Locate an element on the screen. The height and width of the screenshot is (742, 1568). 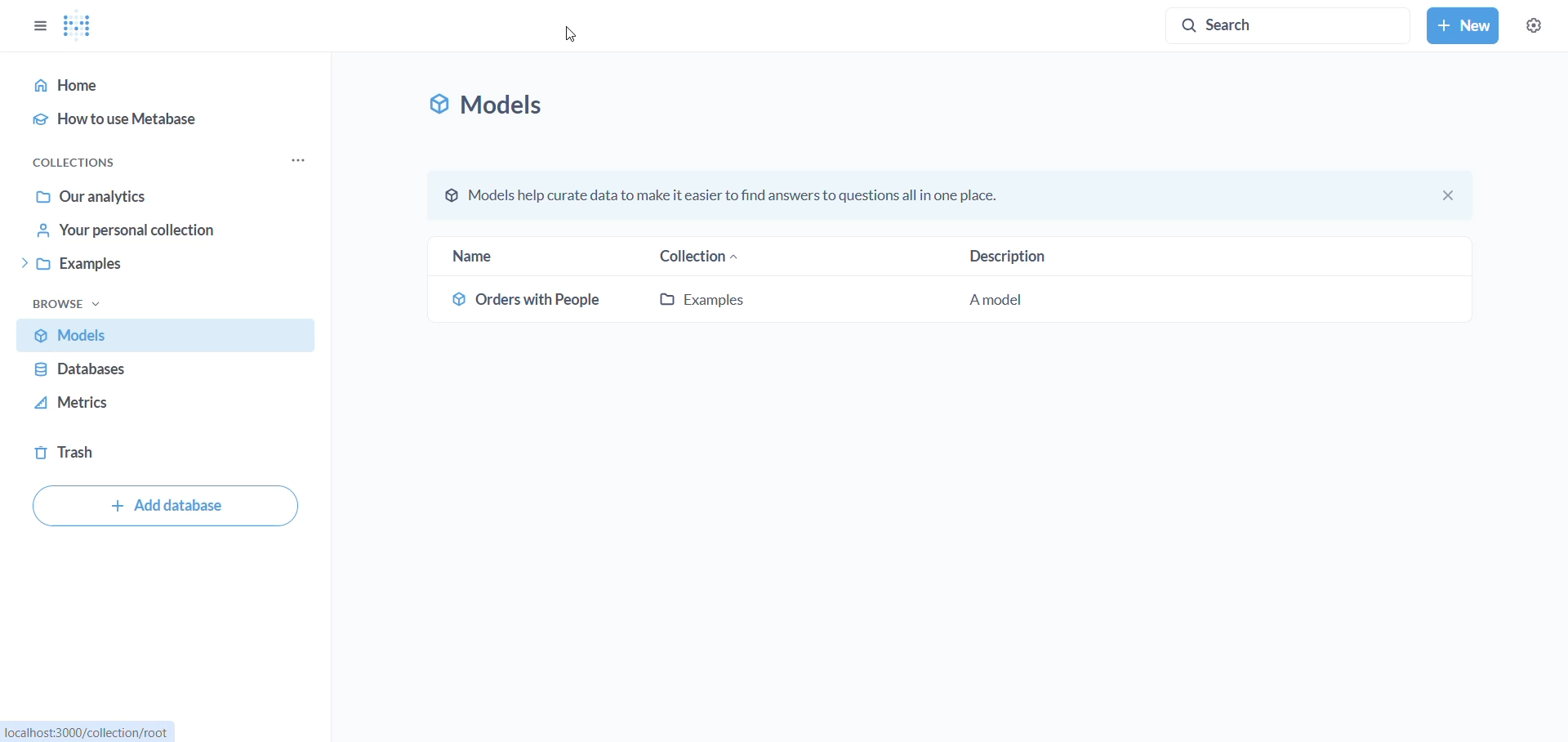
your personal collection is located at coordinates (151, 234).